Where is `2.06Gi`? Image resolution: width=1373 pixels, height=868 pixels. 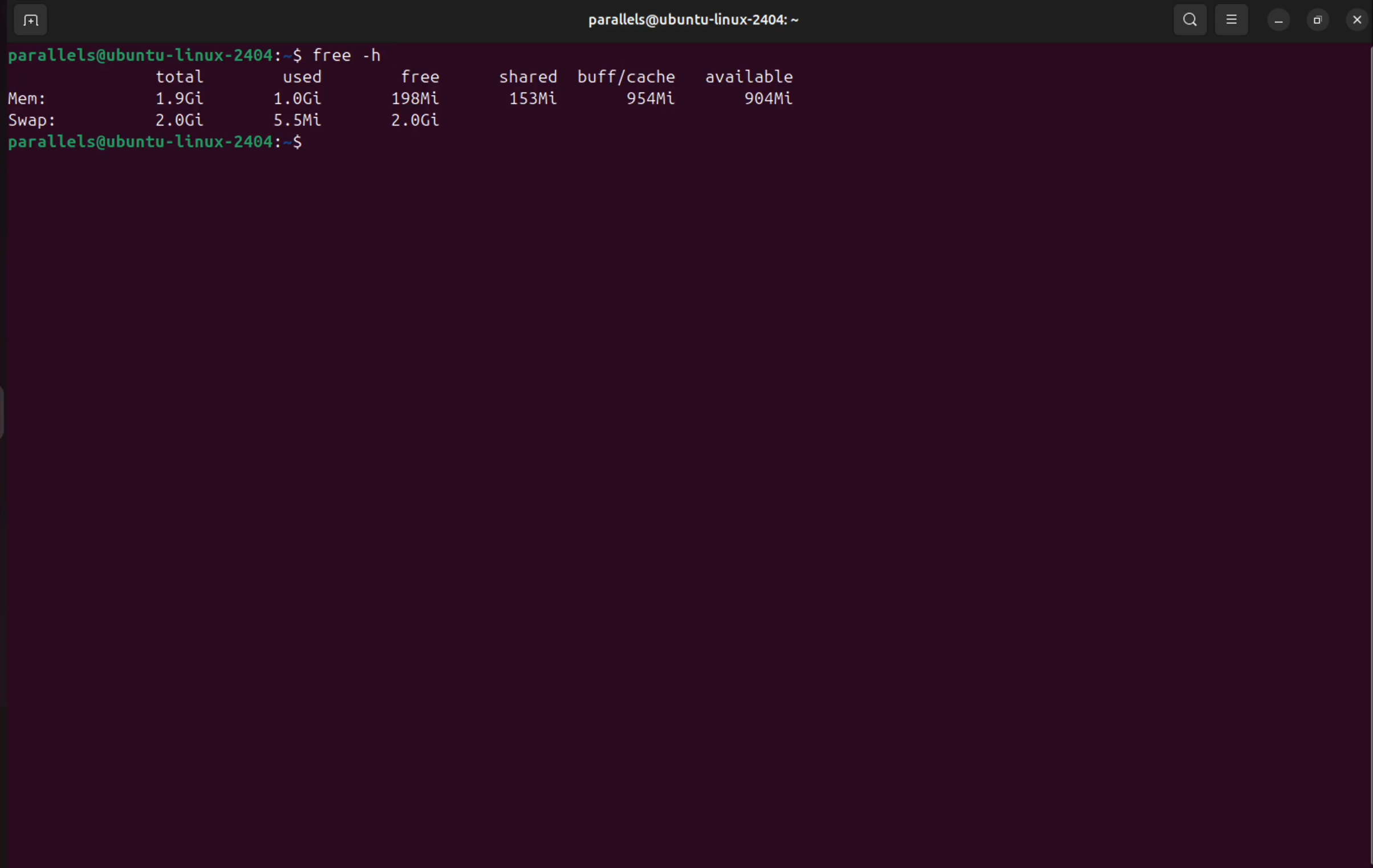 2.06Gi is located at coordinates (418, 122).